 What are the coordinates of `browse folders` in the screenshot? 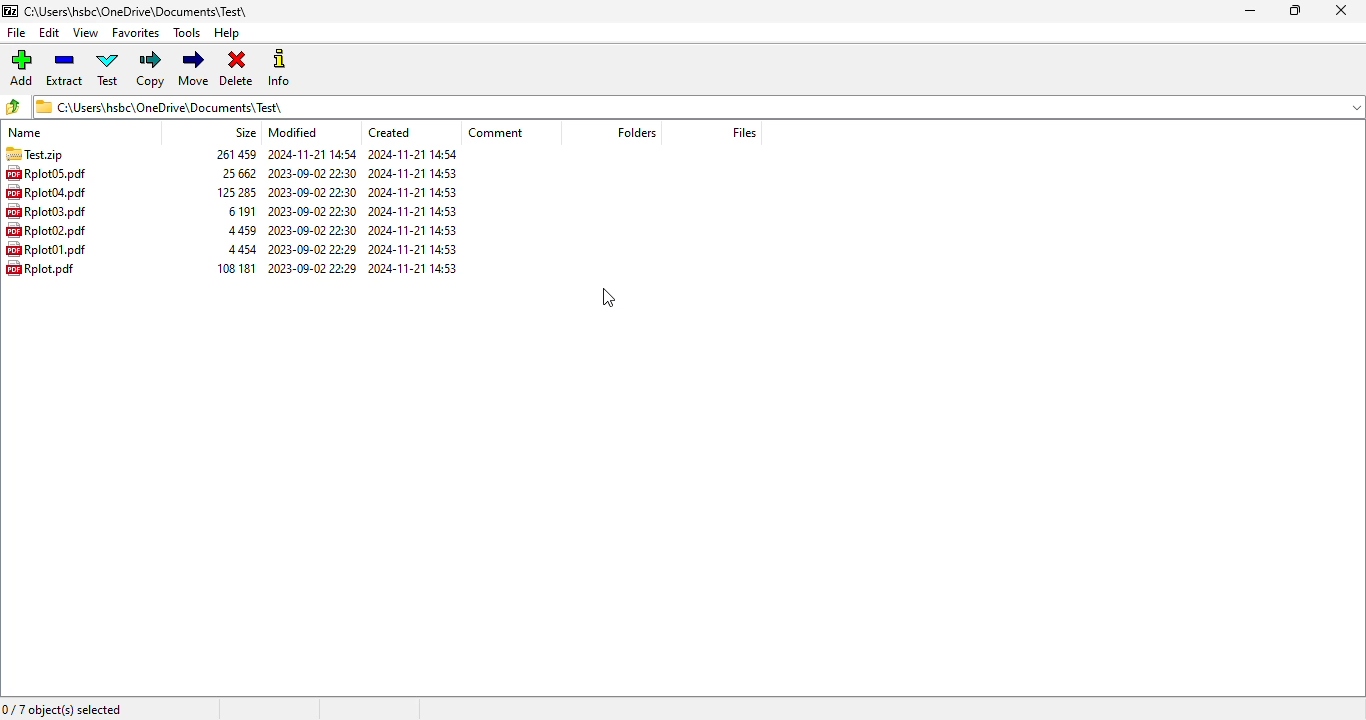 It's located at (15, 106).